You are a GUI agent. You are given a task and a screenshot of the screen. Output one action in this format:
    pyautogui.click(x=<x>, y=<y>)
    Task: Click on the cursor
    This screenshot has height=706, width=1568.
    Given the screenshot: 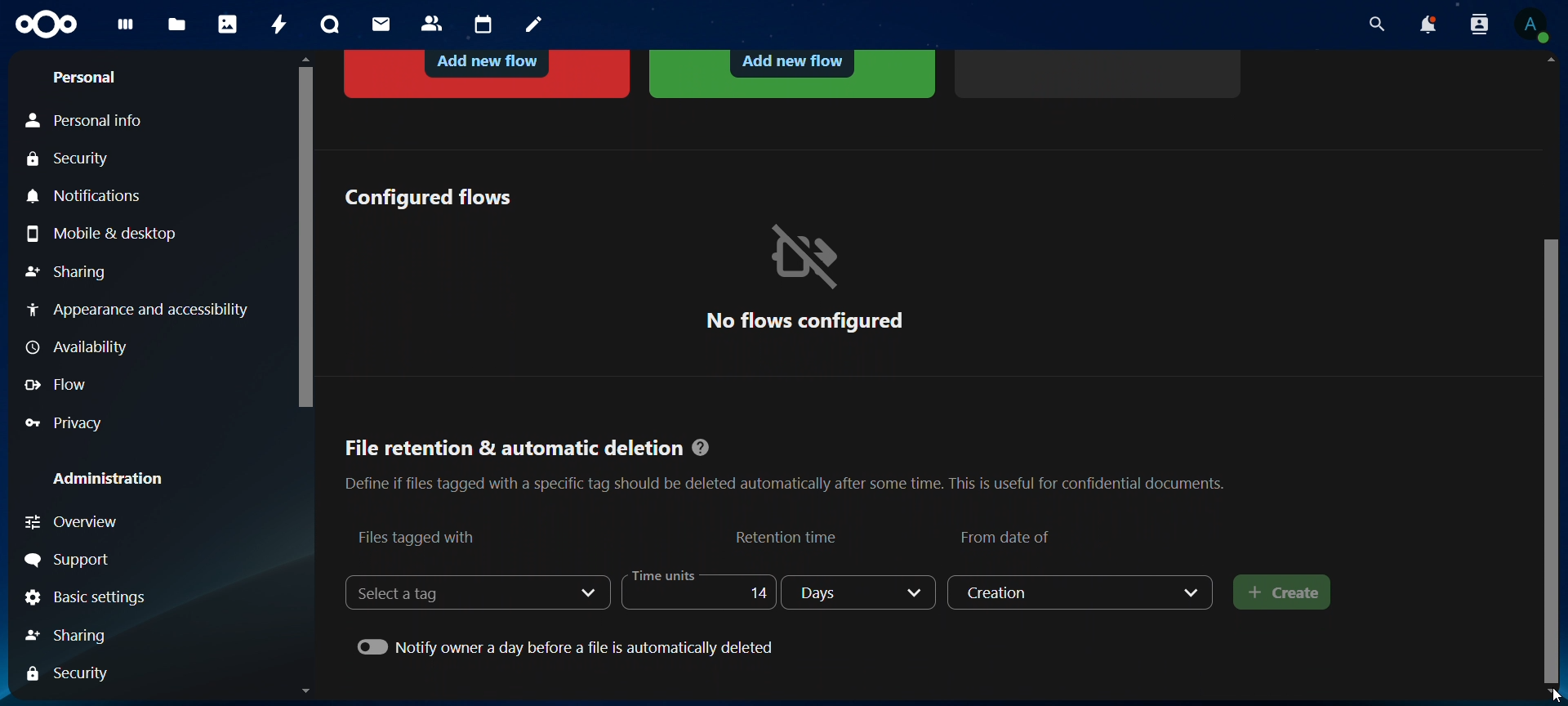 What is the action you would take?
    pyautogui.click(x=1543, y=696)
    